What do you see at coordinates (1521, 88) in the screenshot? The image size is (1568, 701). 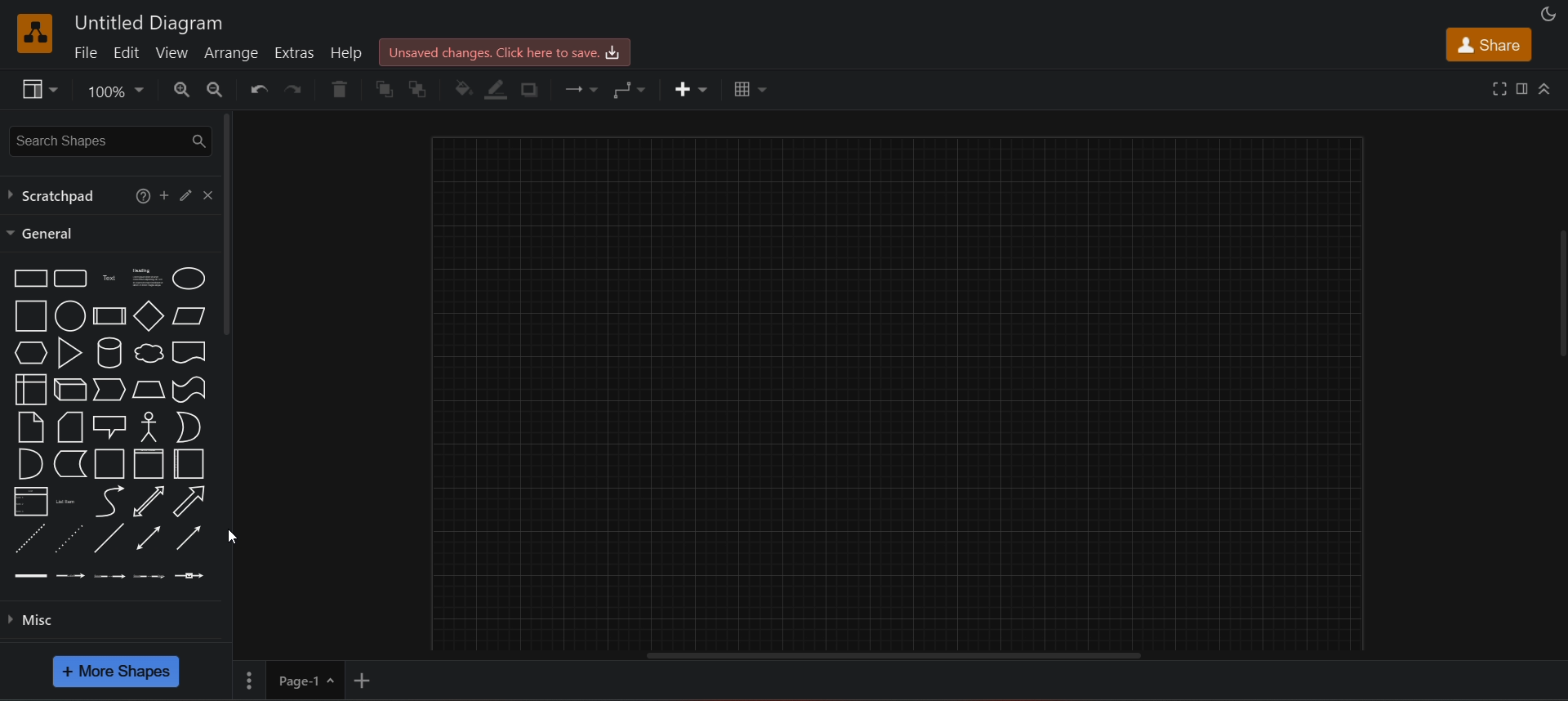 I see `format` at bounding box center [1521, 88].